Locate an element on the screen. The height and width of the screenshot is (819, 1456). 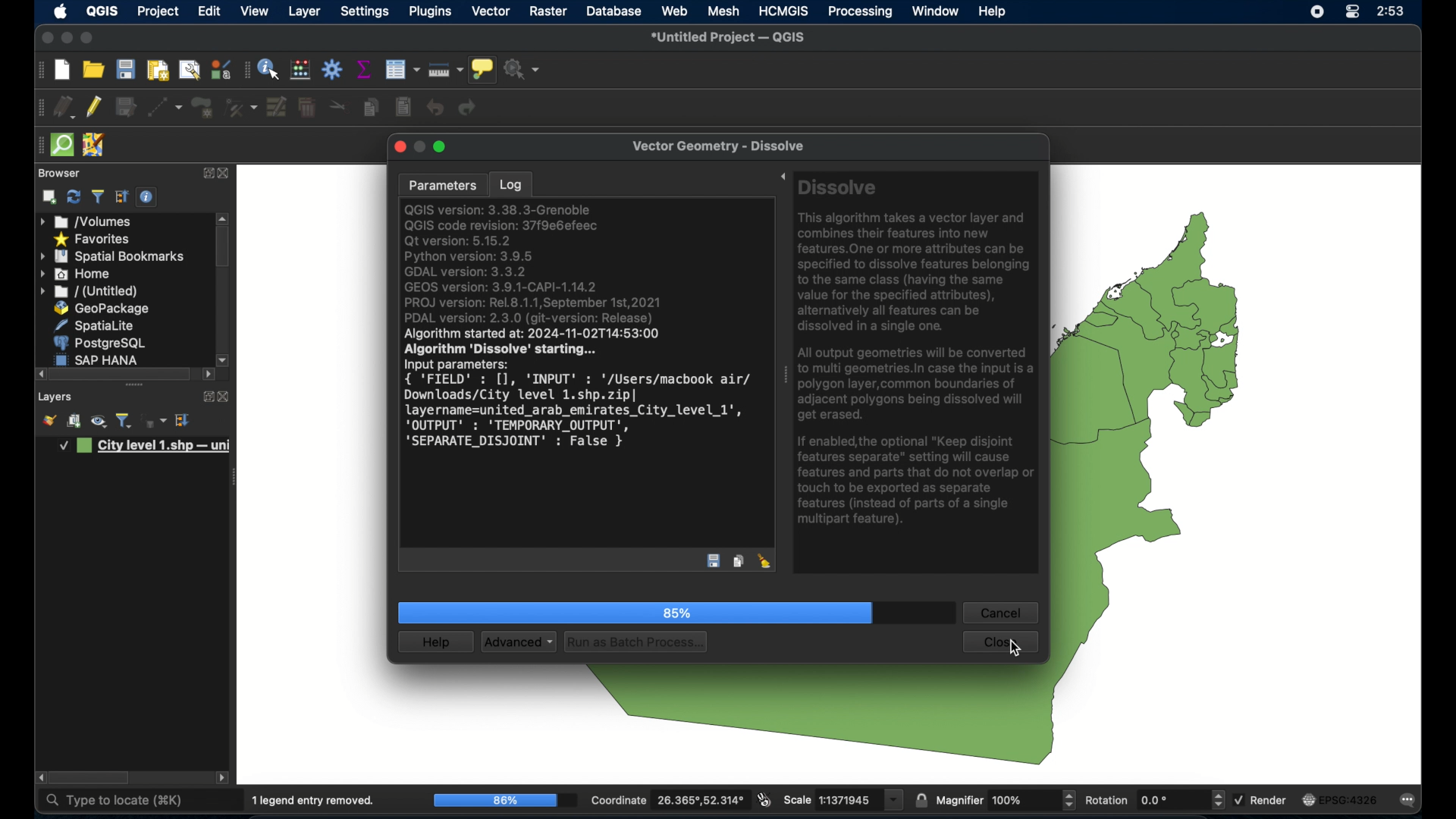
redo is located at coordinates (471, 108).